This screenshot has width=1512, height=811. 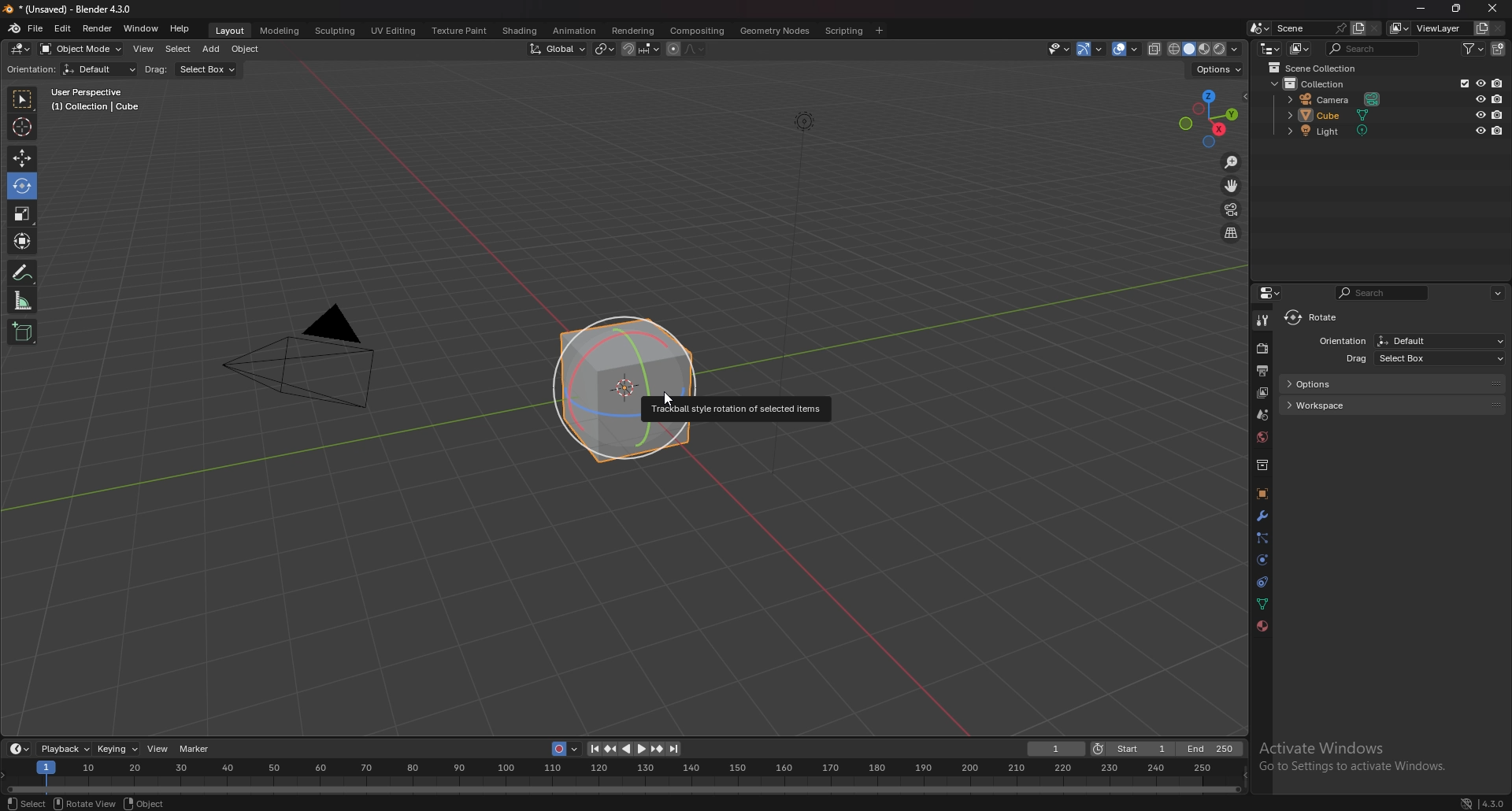 What do you see at coordinates (1317, 68) in the screenshot?
I see `scene collection` at bounding box center [1317, 68].